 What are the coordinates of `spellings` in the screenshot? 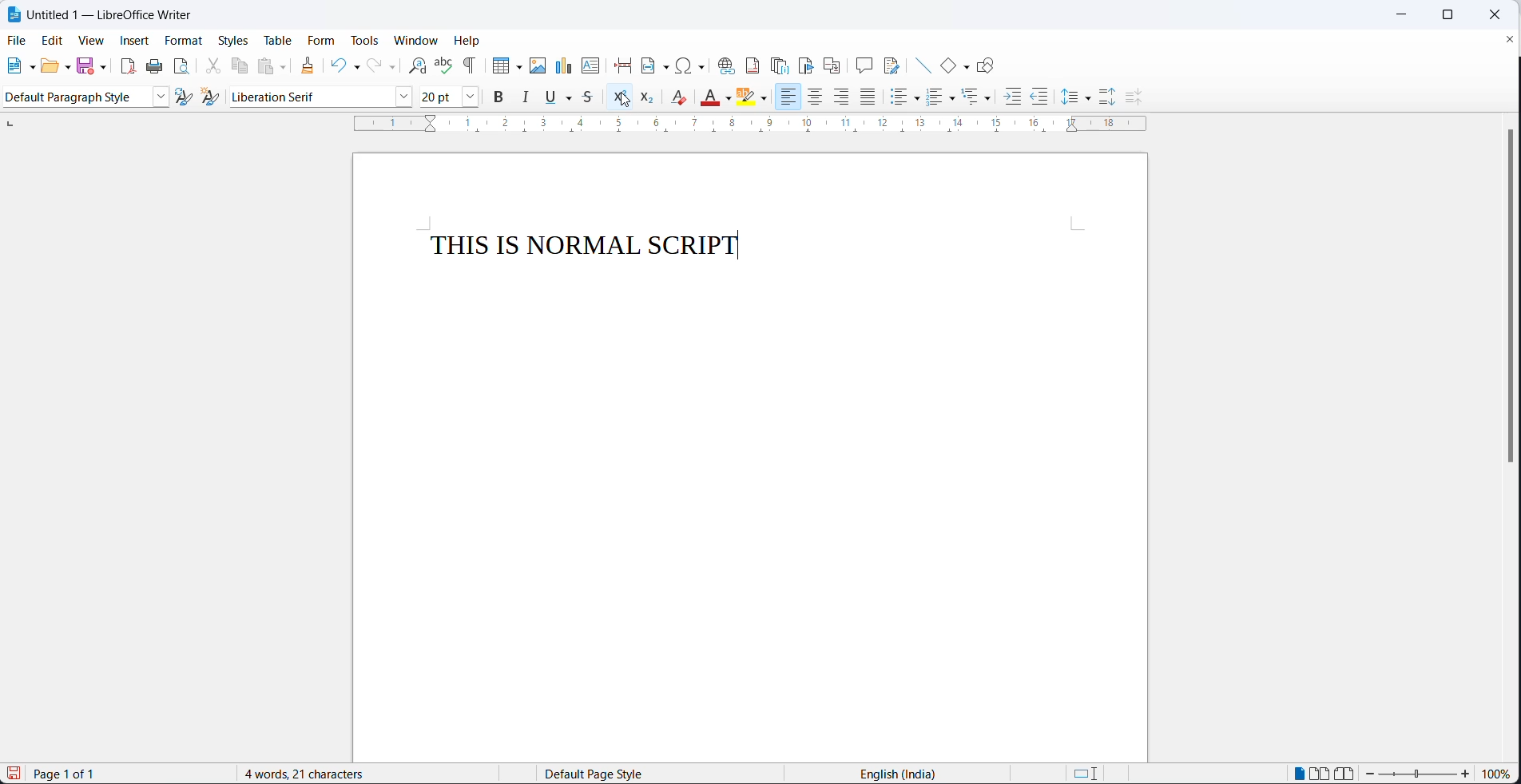 It's located at (442, 65).